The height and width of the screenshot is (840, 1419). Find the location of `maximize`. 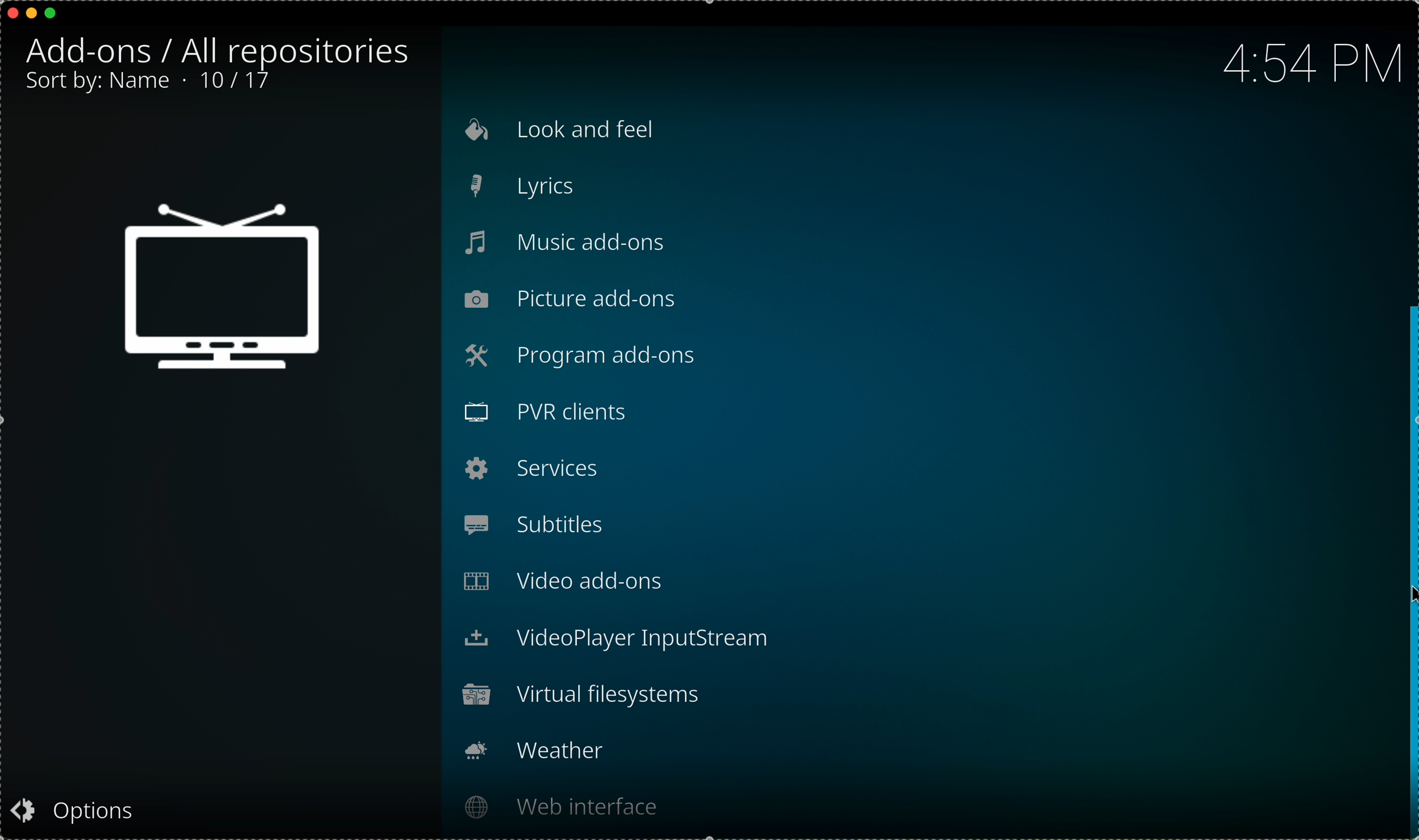

maximize is located at coordinates (52, 13).